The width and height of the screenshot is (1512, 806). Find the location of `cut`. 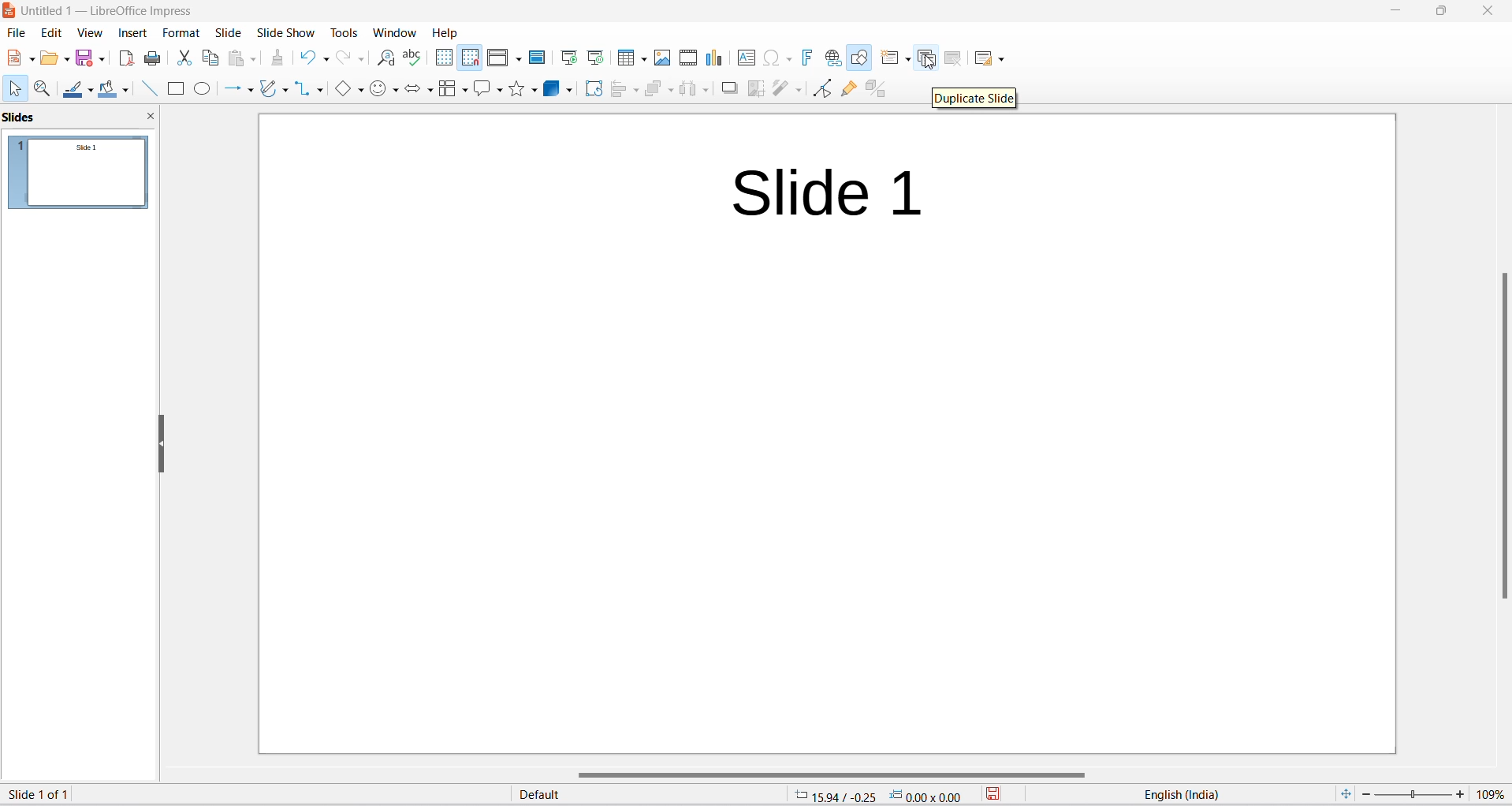

cut is located at coordinates (182, 62).